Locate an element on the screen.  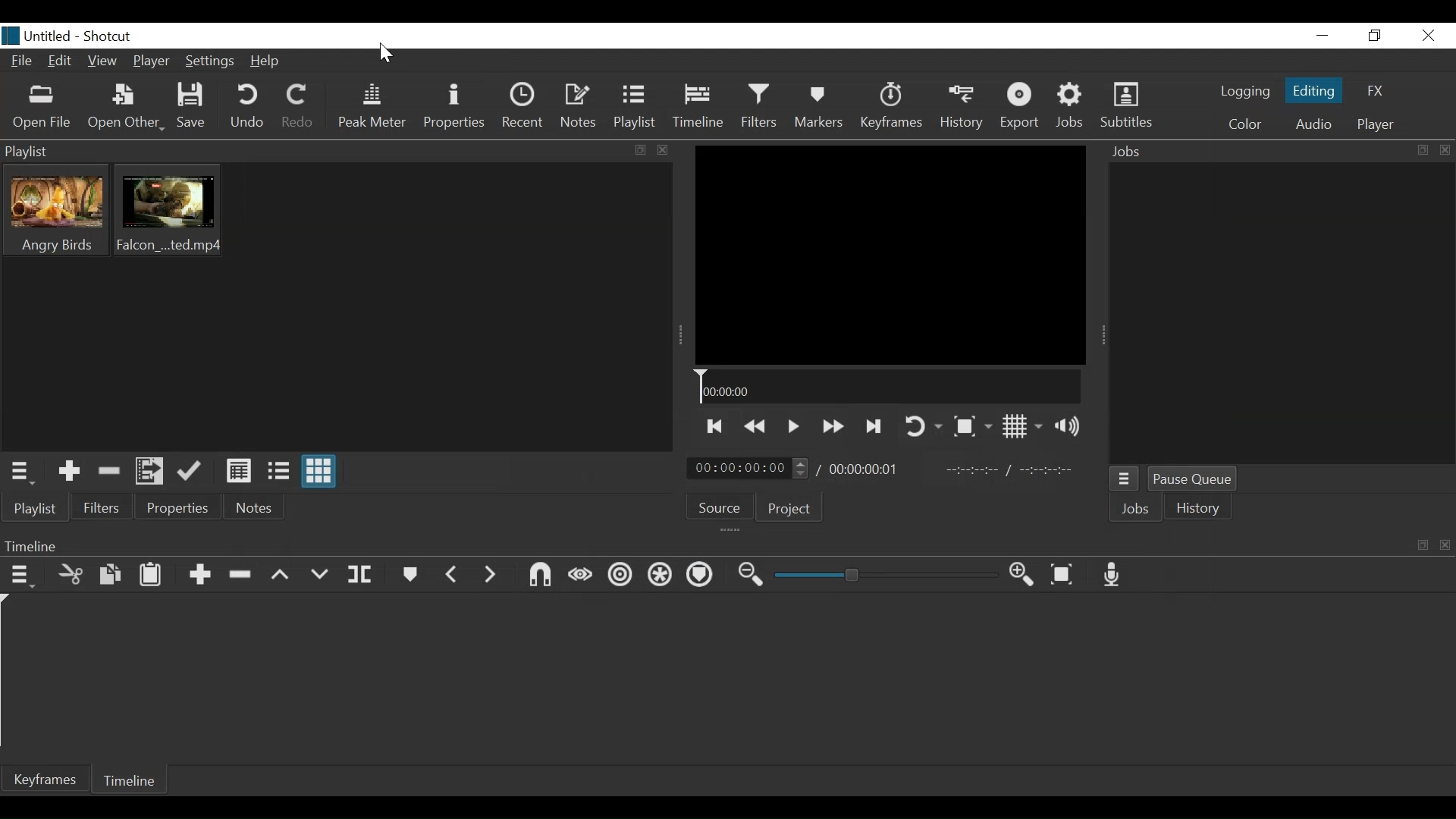
Recent is located at coordinates (522, 105).